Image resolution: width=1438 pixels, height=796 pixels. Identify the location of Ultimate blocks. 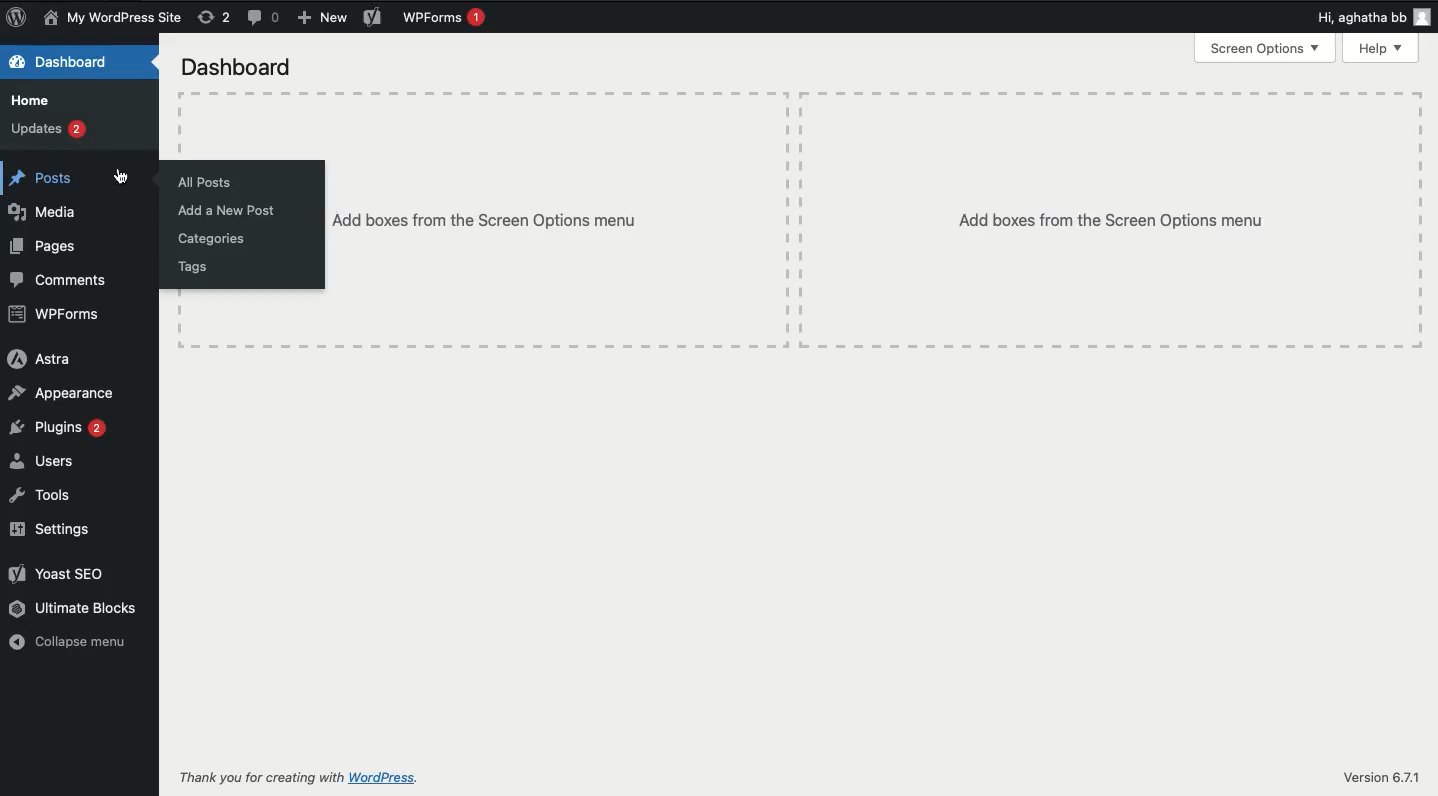
(76, 609).